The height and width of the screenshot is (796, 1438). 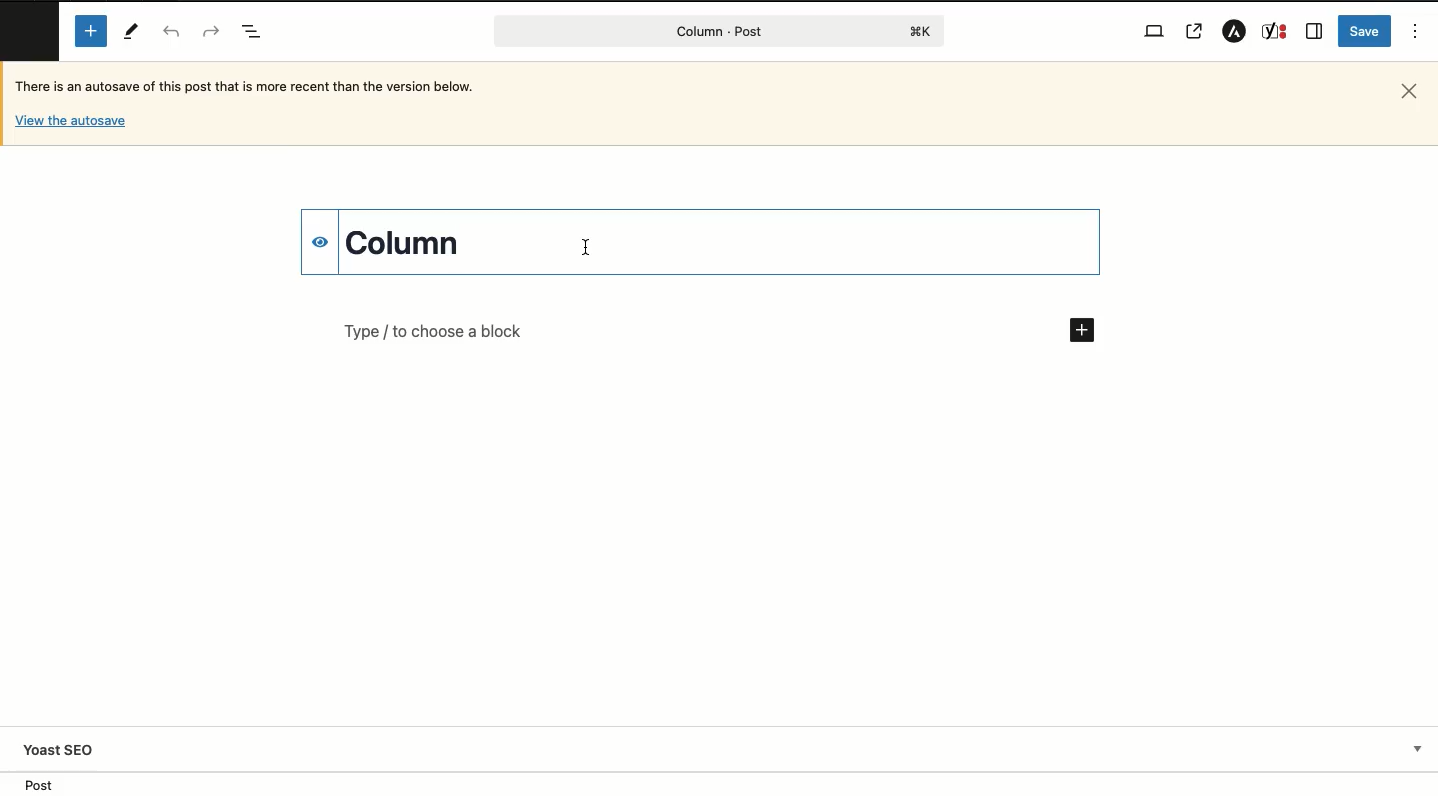 I want to click on Add new block, so click(x=91, y=31).